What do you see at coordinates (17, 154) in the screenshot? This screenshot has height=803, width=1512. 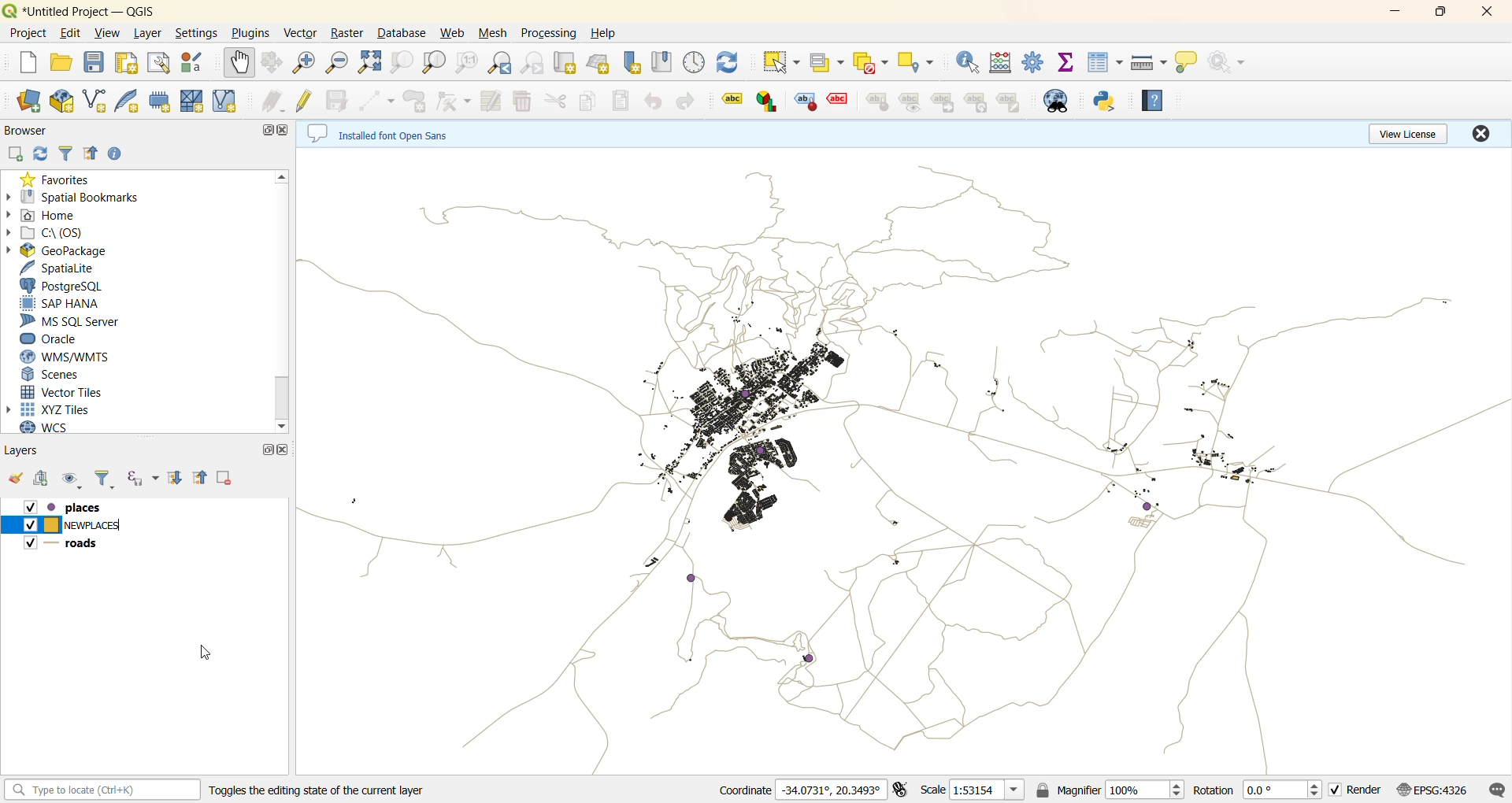 I see `add` at bounding box center [17, 154].